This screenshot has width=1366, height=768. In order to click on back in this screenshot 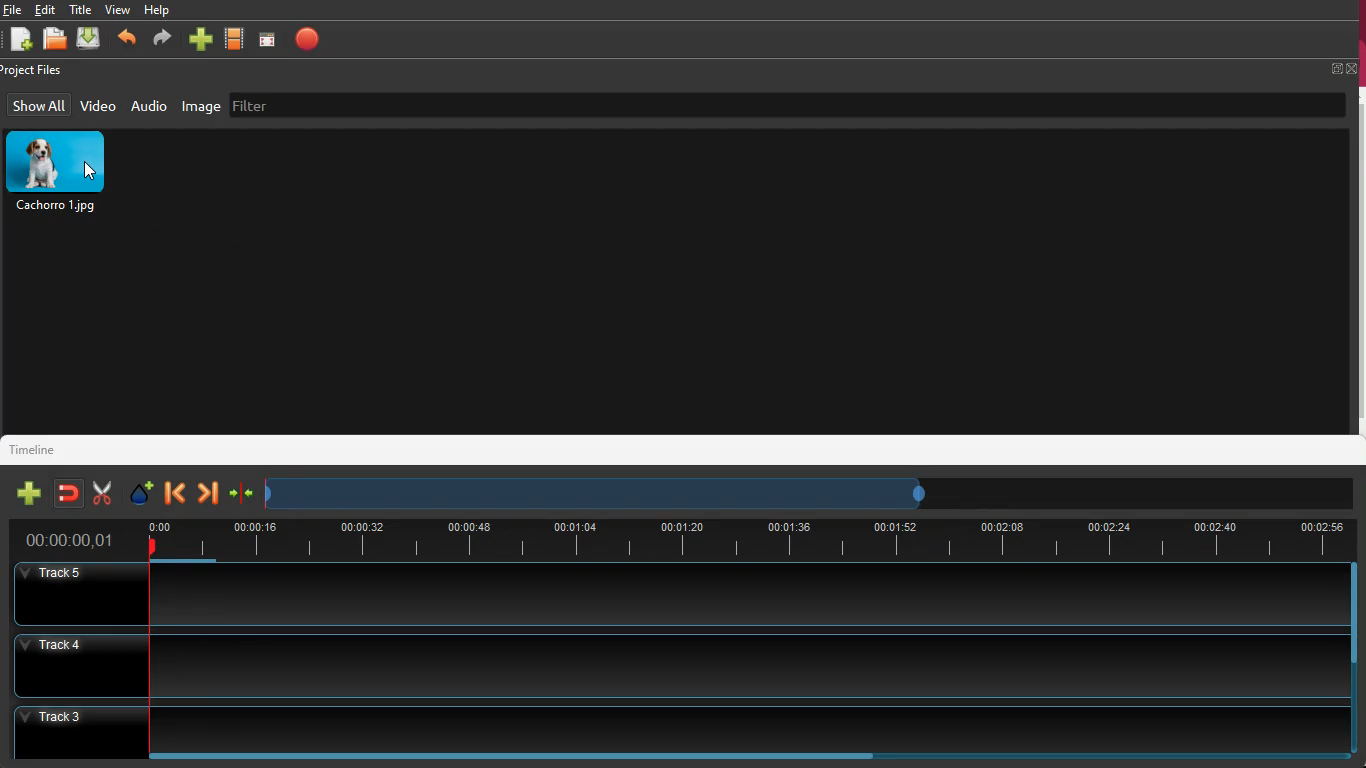, I will do `click(126, 41)`.